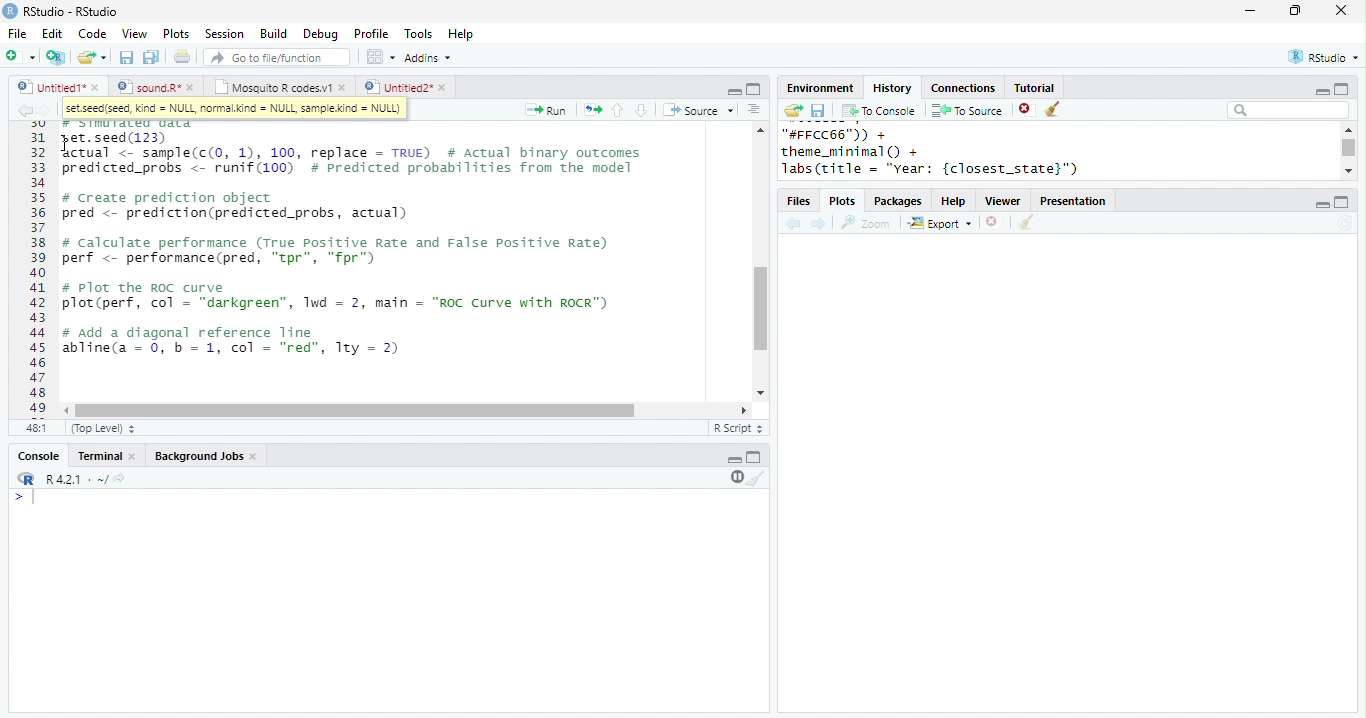  Describe the element at coordinates (37, 457) in the screenshot. I see `console` at that location.